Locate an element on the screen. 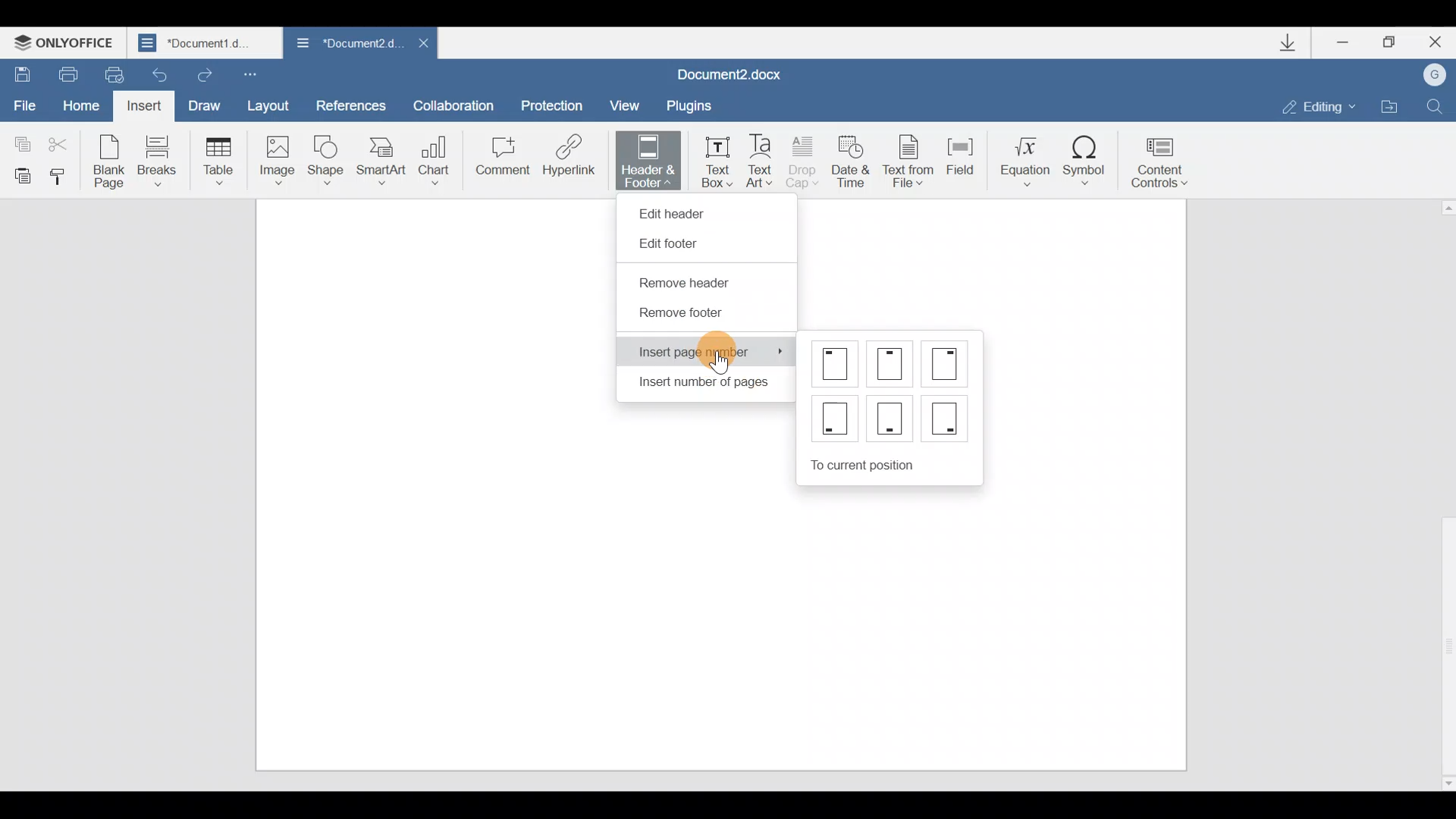  To current position is located at coordinates (896, 463).